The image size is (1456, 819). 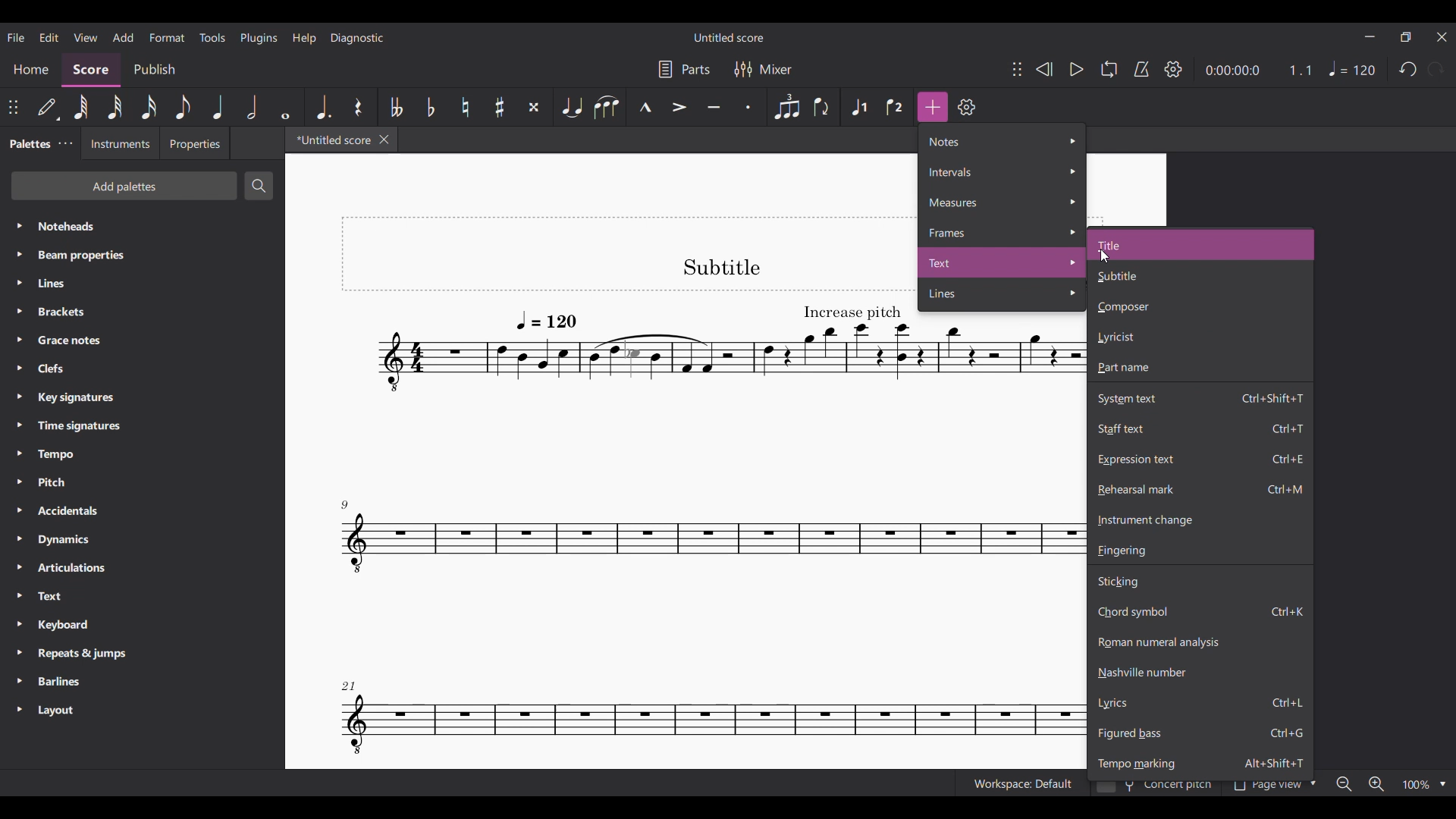 What do you see at coordinates (1200, 520) in the screenshot?
I see `Instrument change` at bounding box center [1200, 520].